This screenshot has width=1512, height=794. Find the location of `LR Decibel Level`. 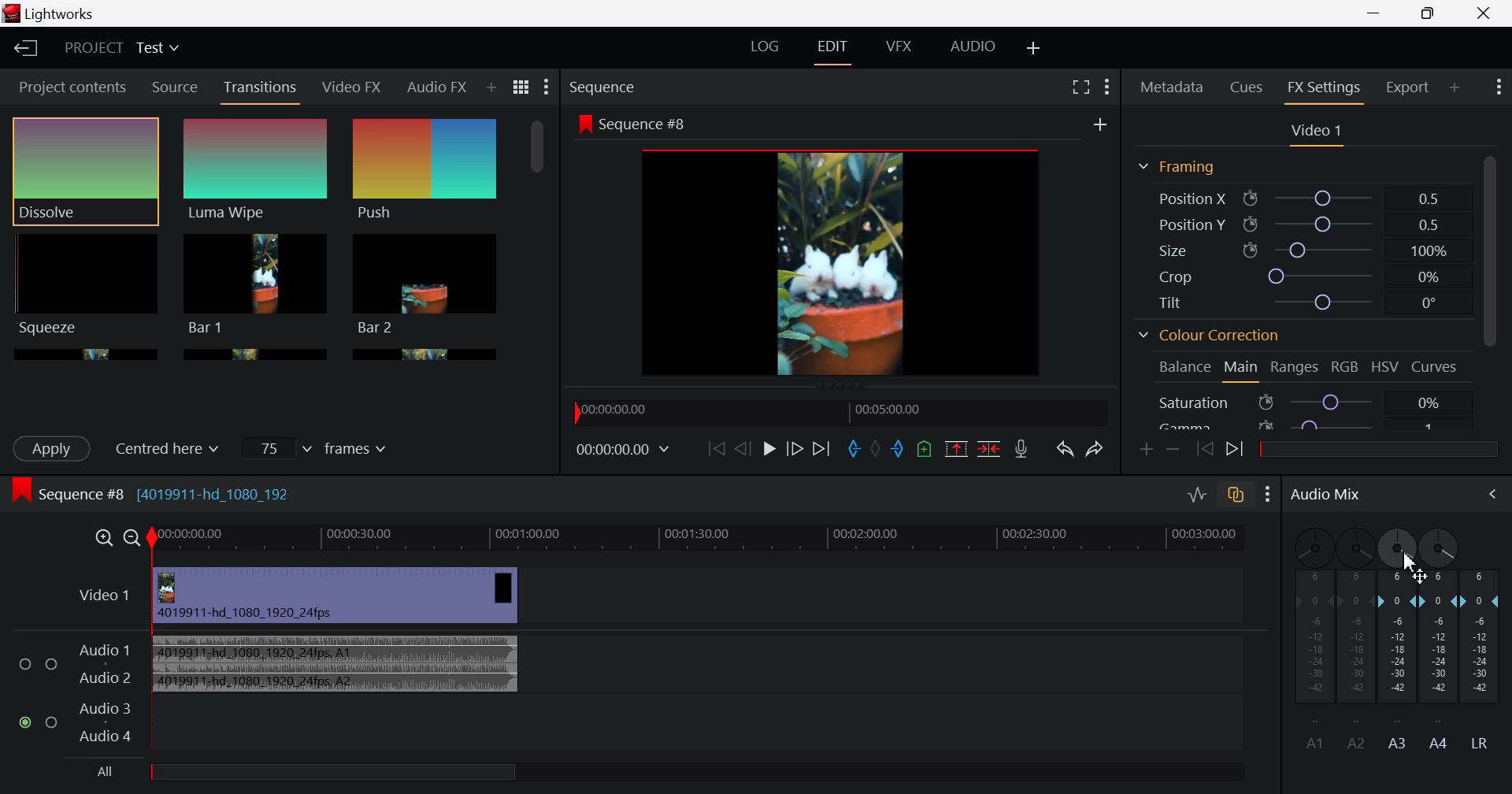

LR Decibel Level is located at coordinates (1485, 659).